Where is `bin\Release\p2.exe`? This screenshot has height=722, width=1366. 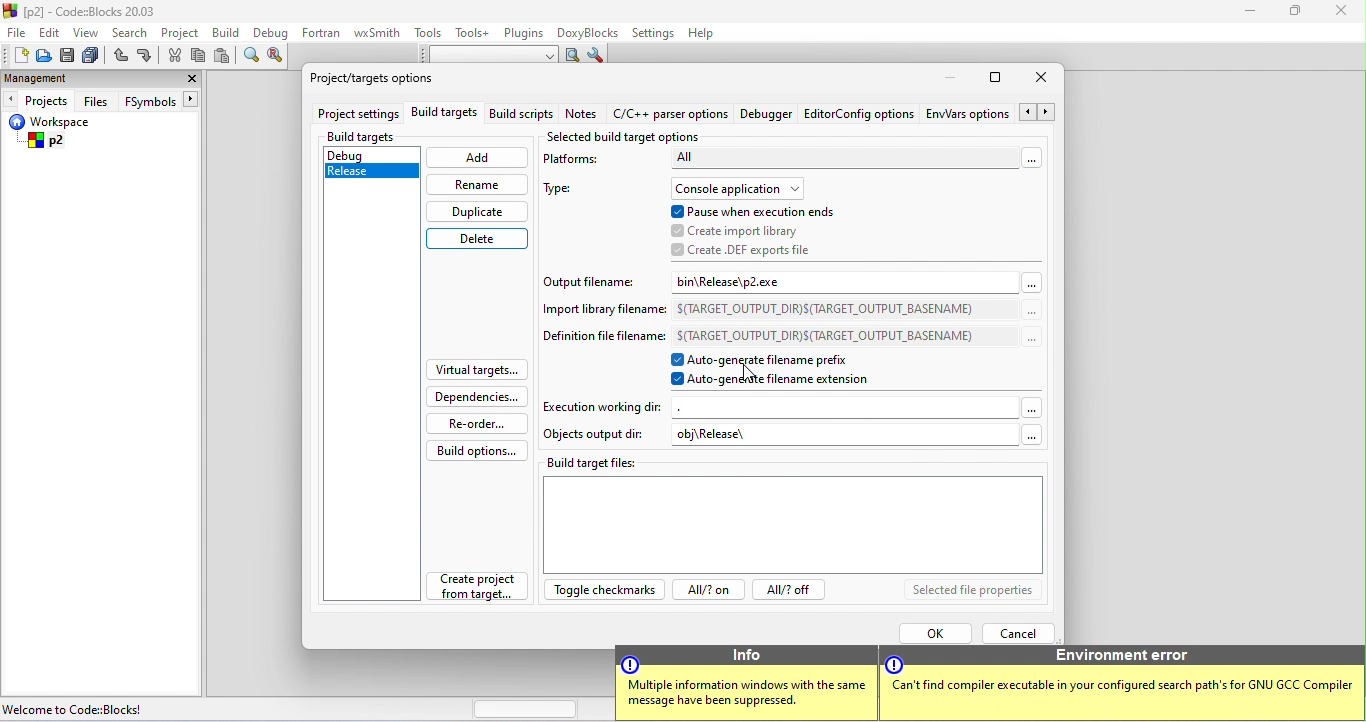
bin\Release\p2.exe is located at coordinates (855, 281).